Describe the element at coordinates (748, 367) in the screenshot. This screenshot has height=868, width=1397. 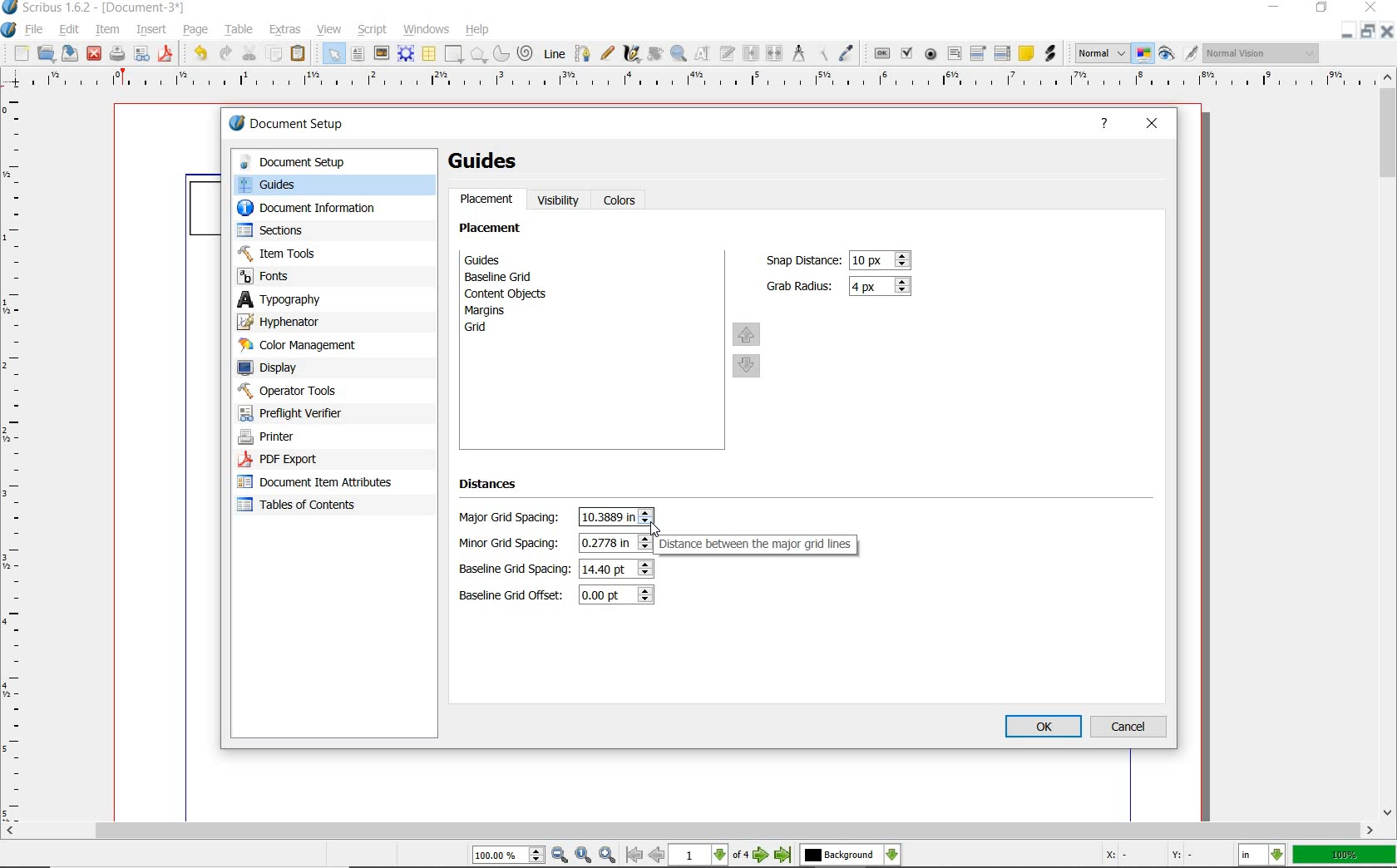
I see `move down` at that location.